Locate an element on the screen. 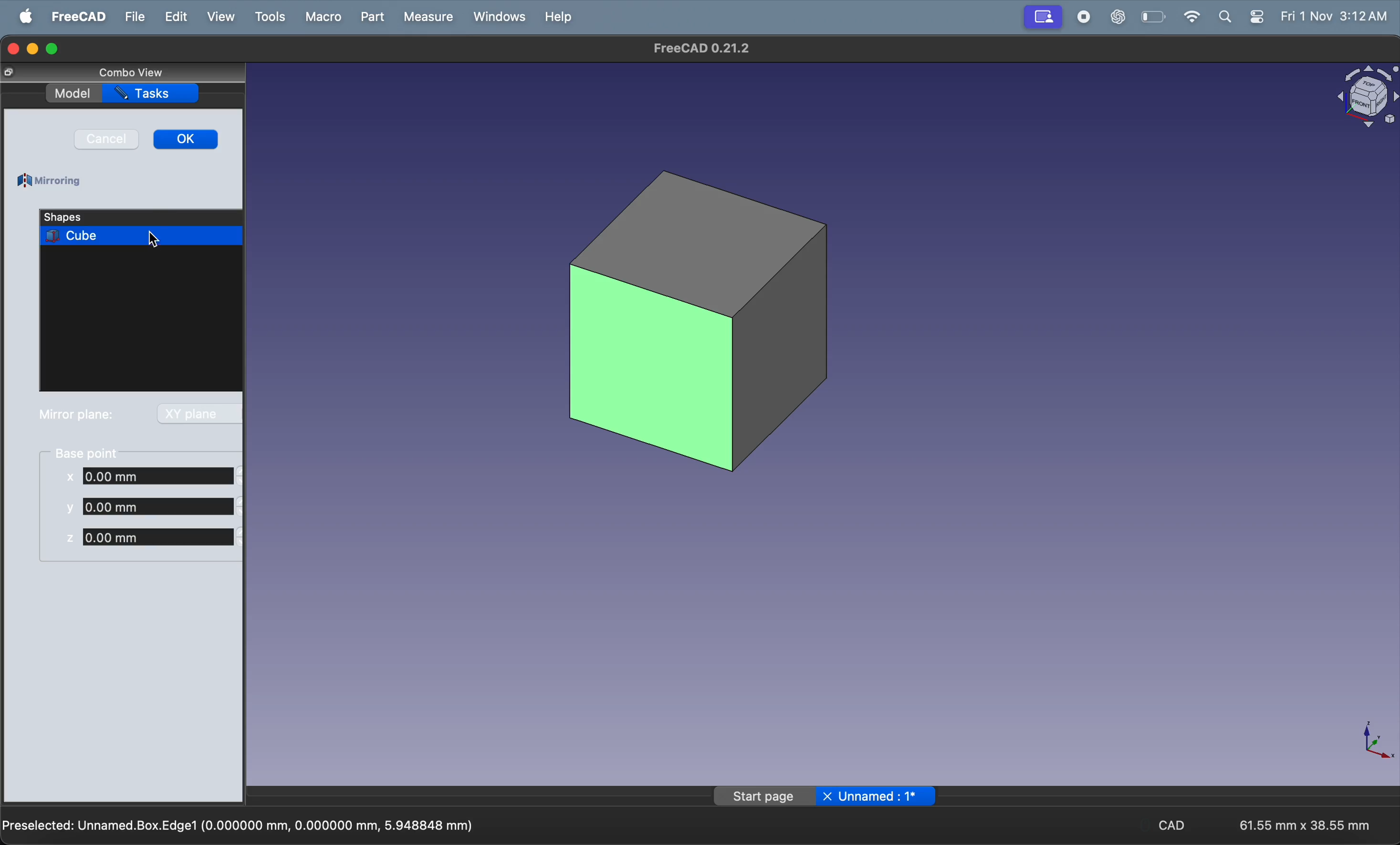  model is located at coordinates (72, 94).